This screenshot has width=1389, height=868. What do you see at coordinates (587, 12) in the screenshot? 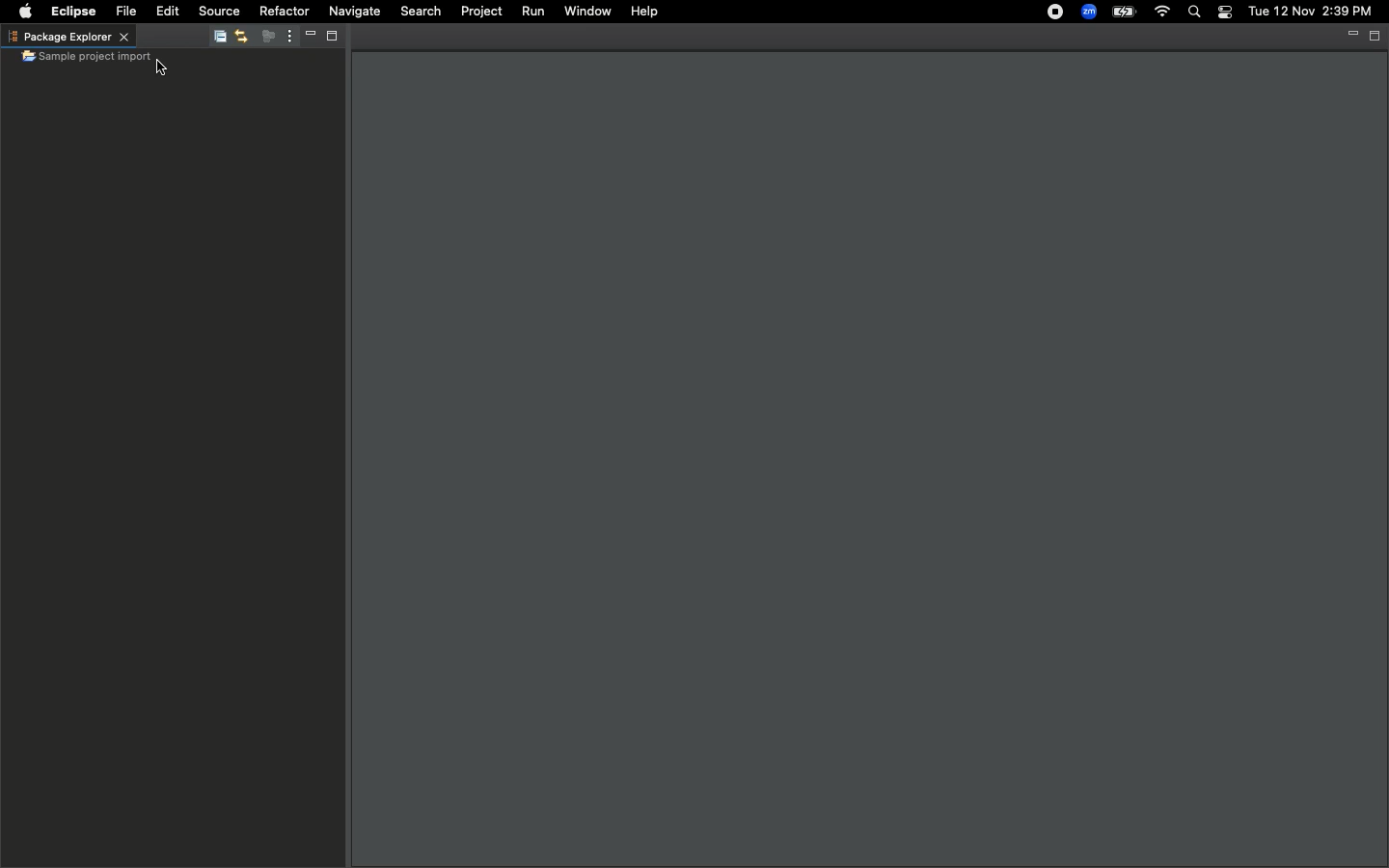
I see `Window` at bounding box center [587, 12].